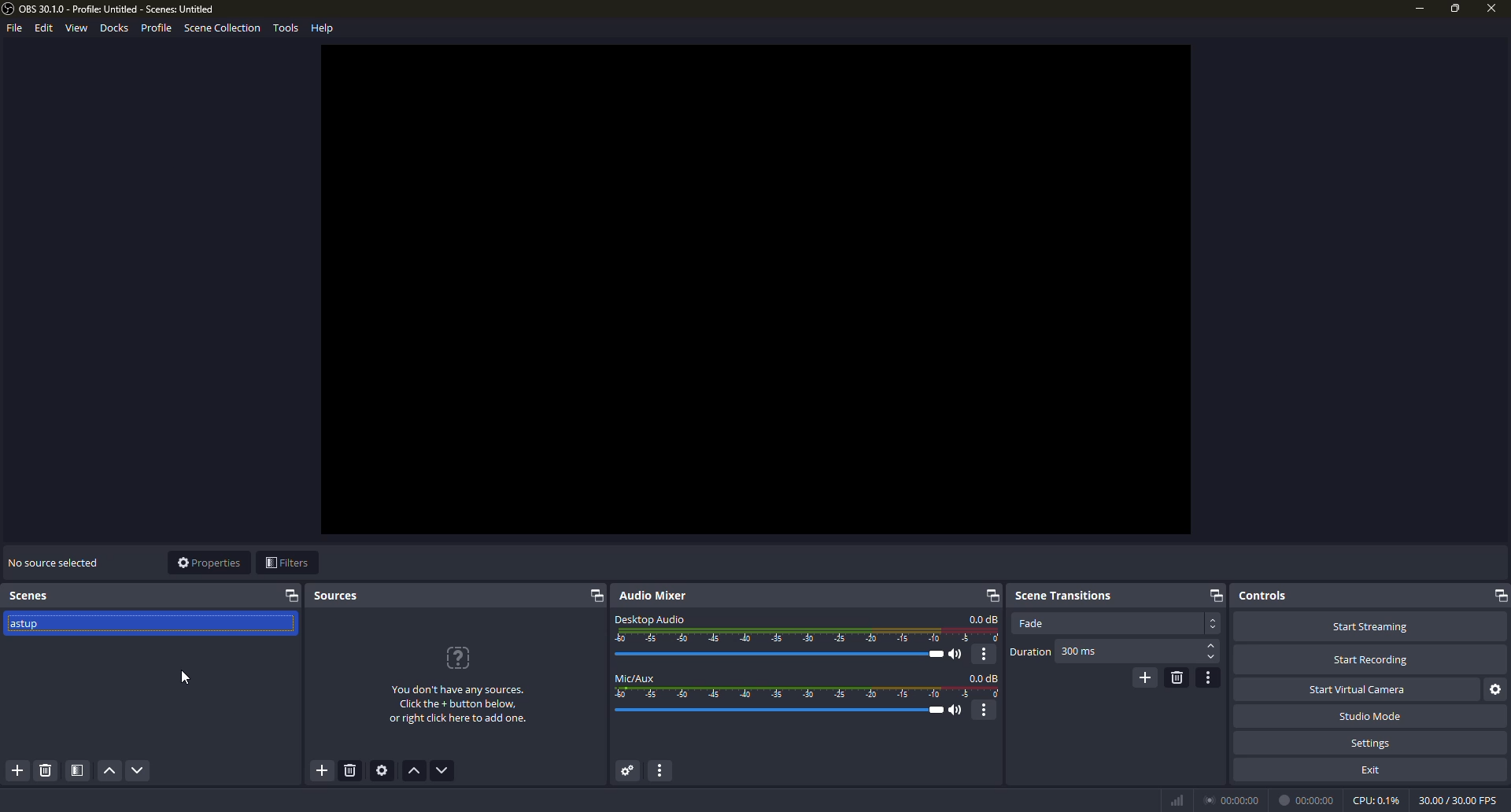 This screenshot has width=1511, height=812. I want to click on audio mixer, so click(657, 596).